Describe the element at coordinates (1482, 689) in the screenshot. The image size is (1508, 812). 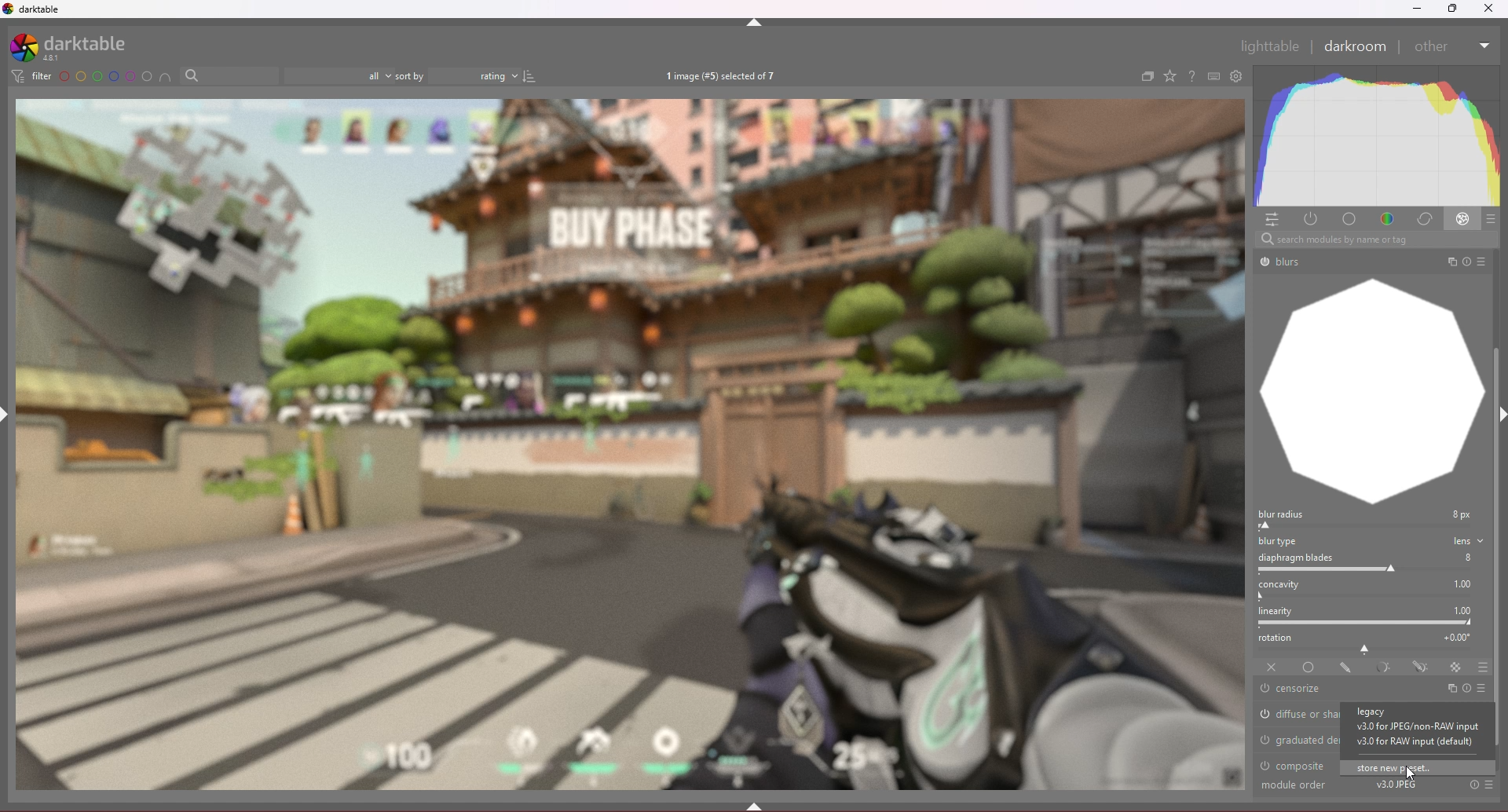
I see `presets` at that location.